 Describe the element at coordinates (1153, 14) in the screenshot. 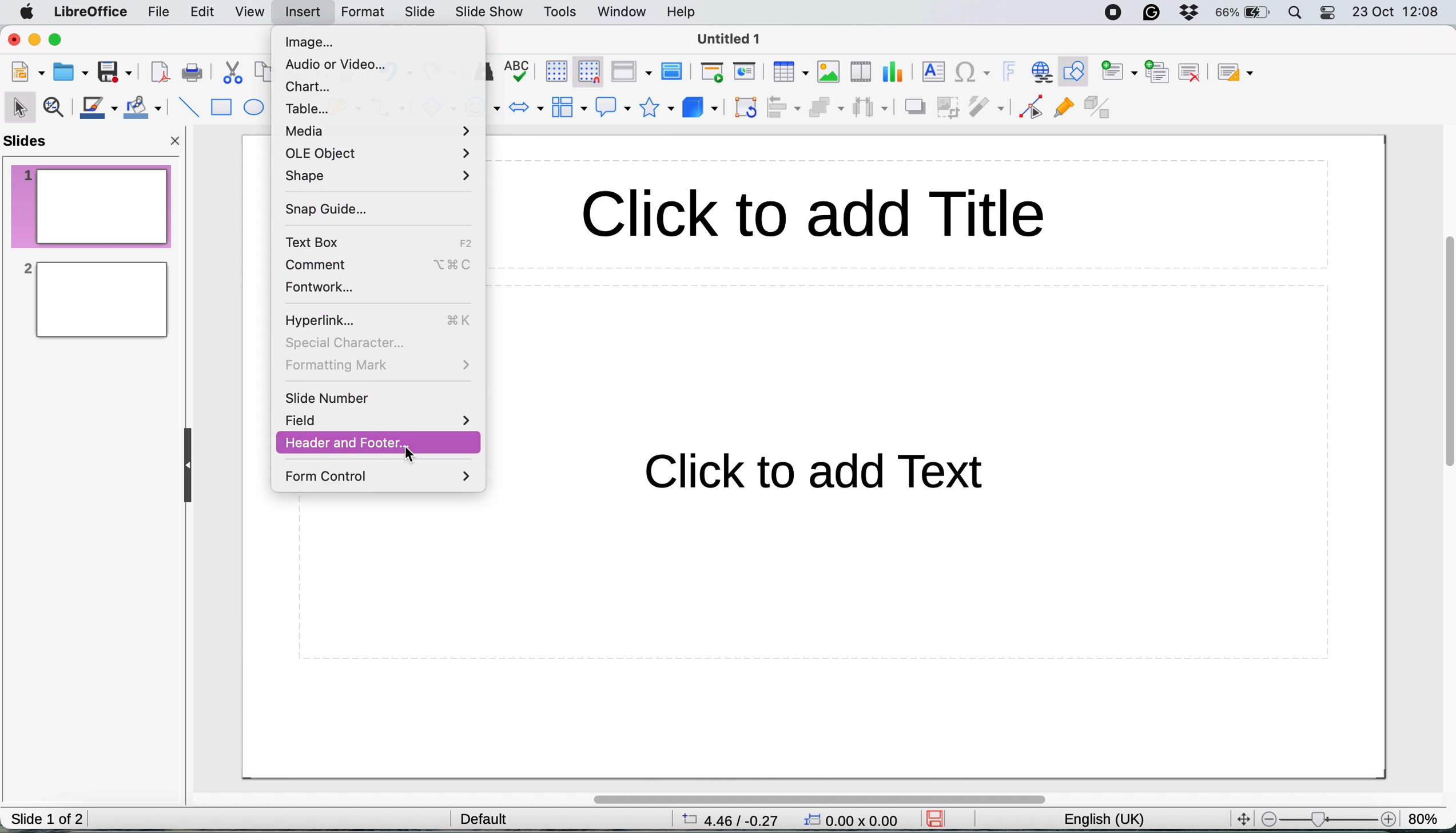

I see `grammarly` at that location.